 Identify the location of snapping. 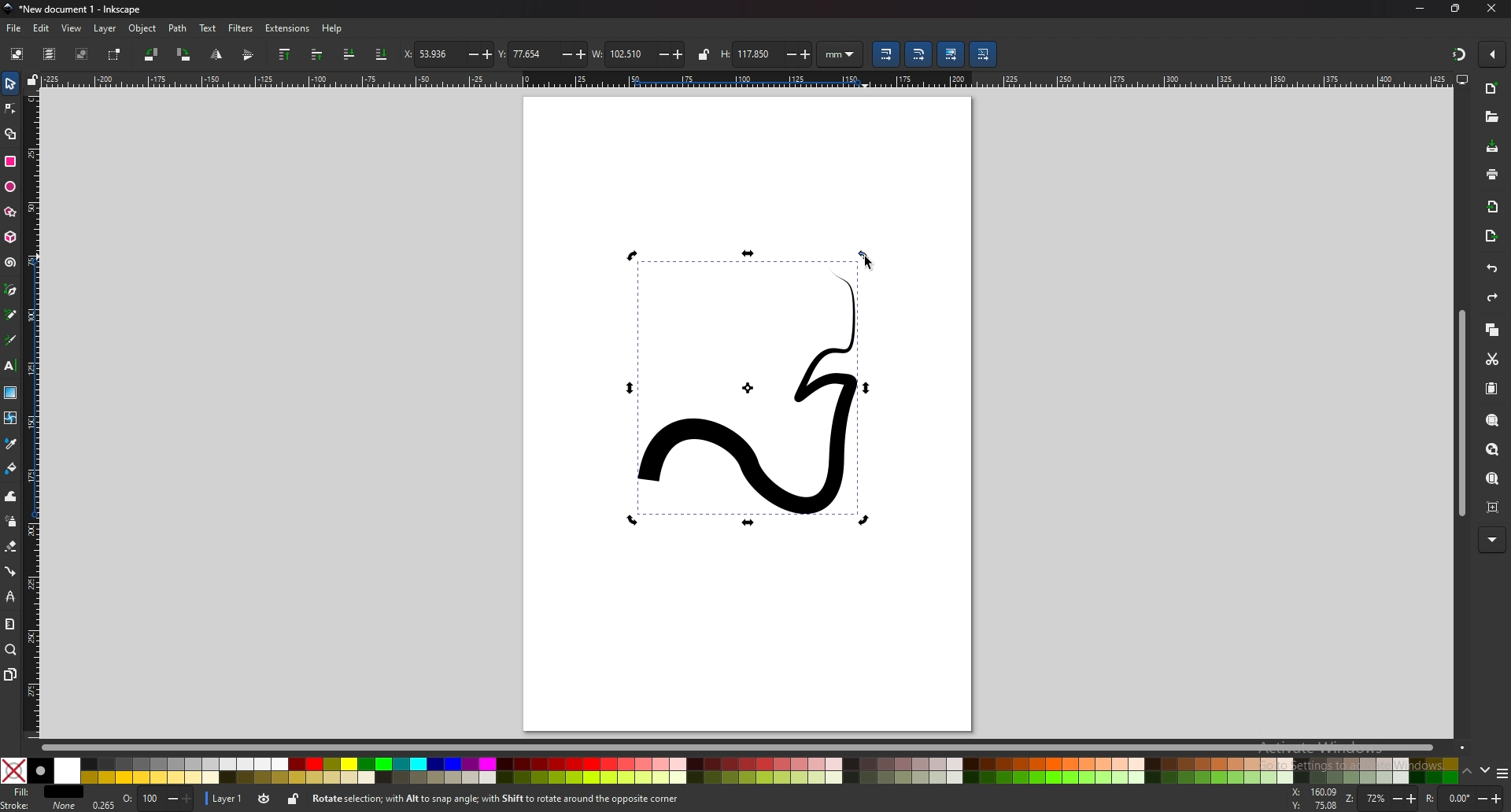
(1457, 54).